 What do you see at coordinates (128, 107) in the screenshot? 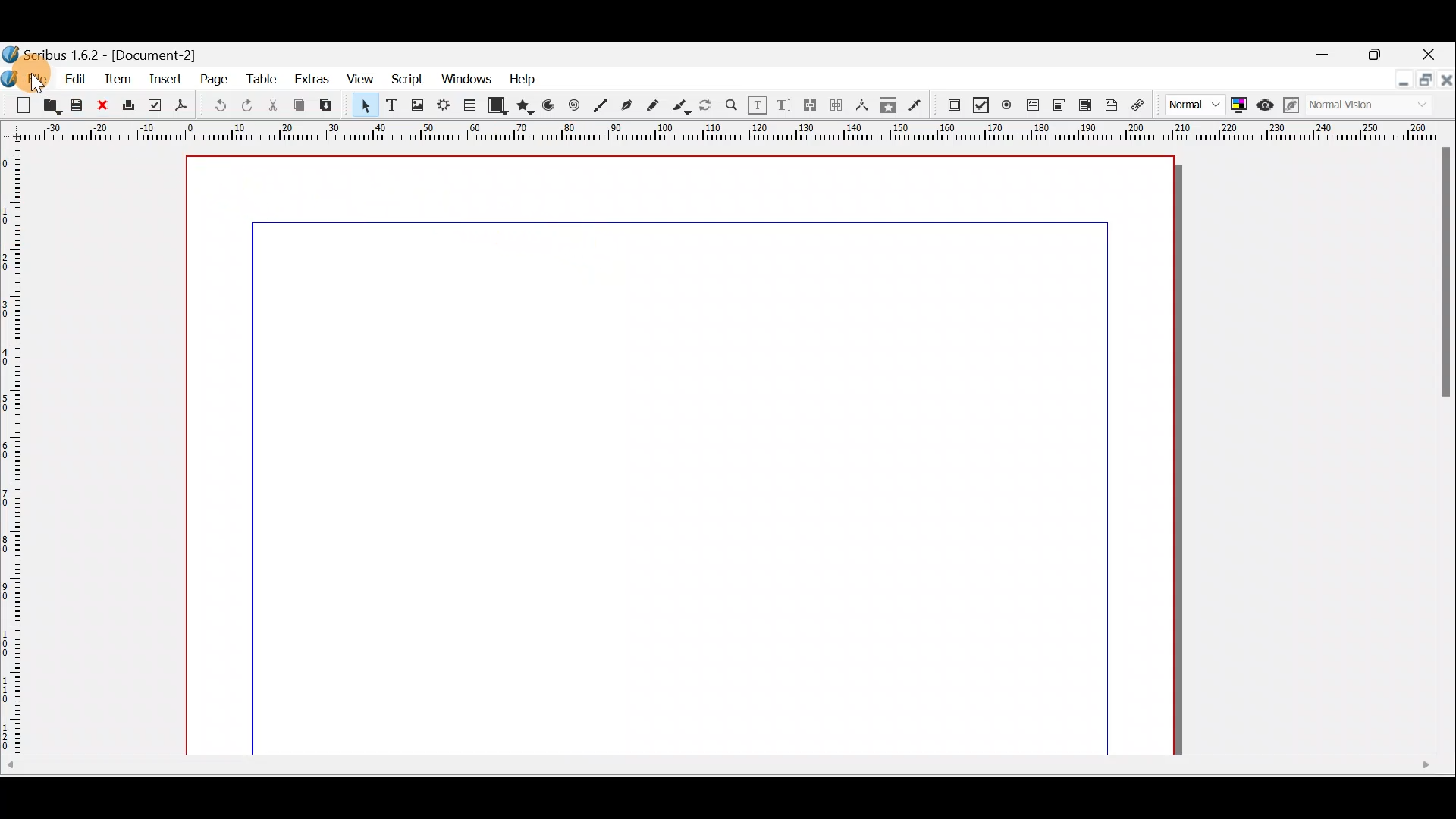
I see `Print` at bounding box center [128, 107].